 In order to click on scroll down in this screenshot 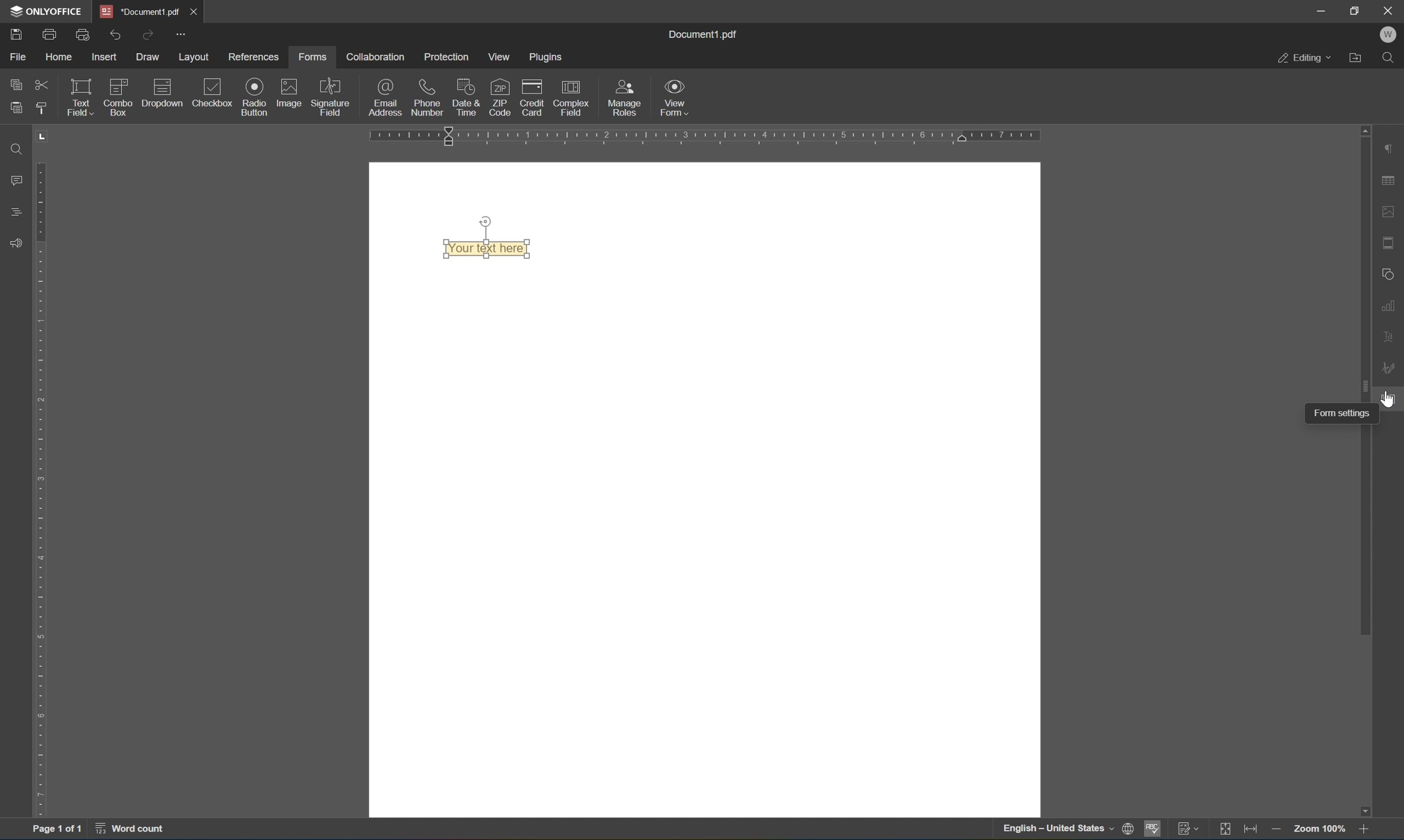, I will do `click(1362, 812)`.